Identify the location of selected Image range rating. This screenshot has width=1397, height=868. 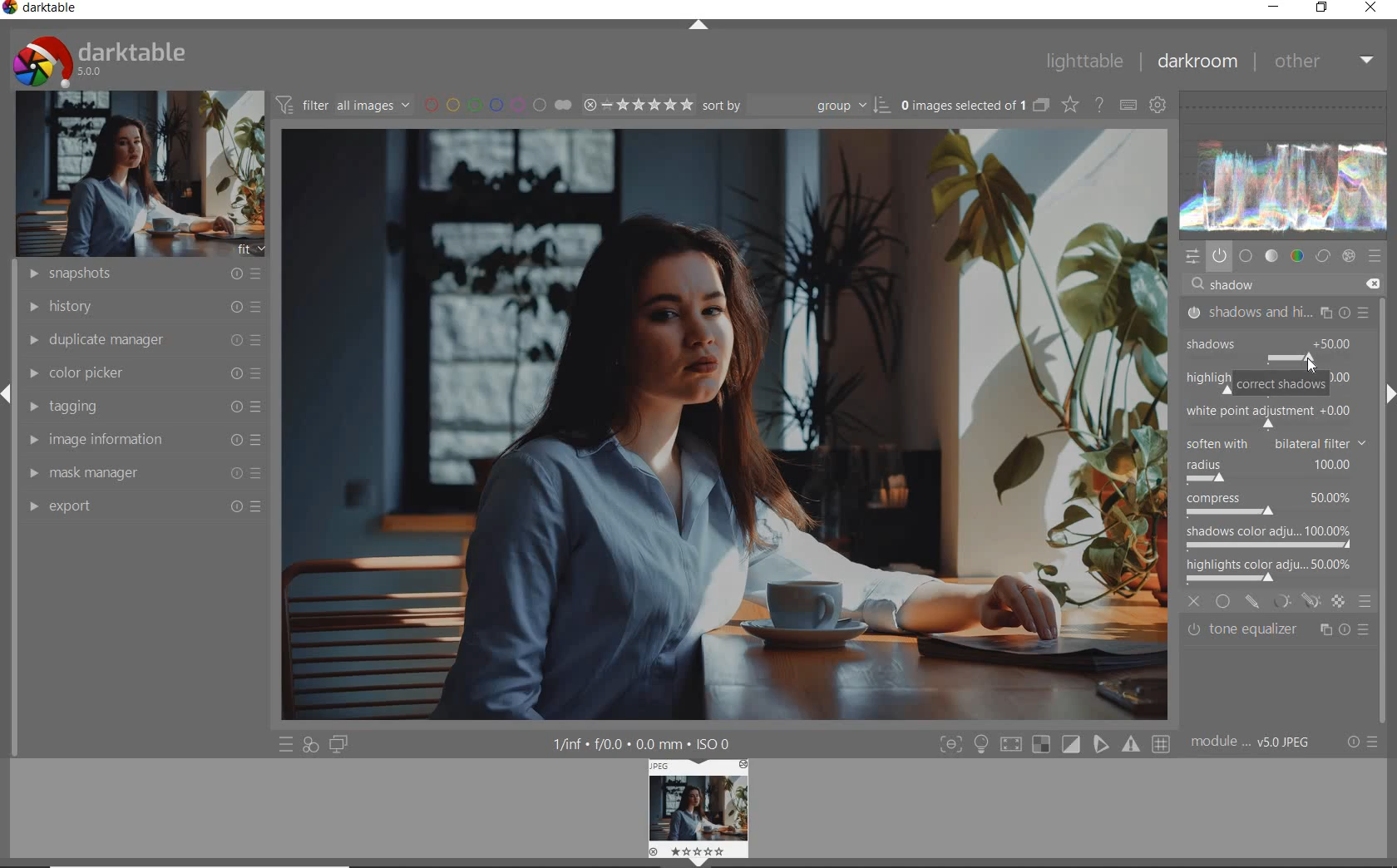
(639, 105).